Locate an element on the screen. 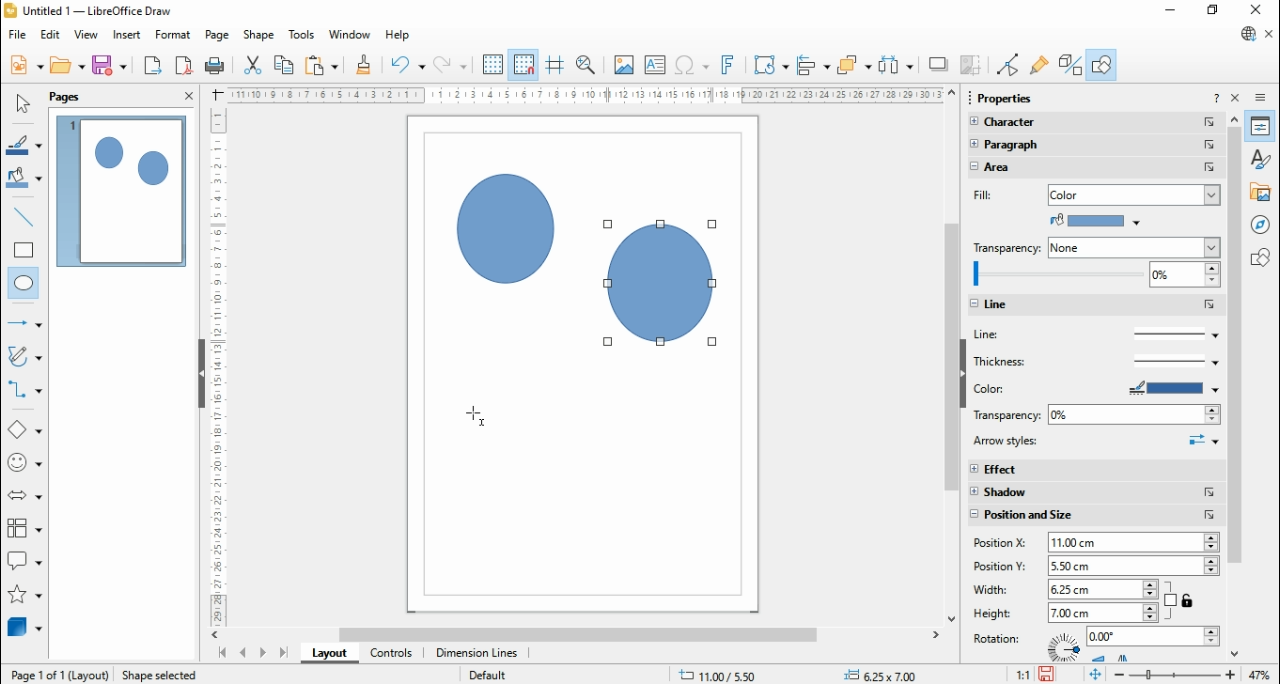  6.50 cm  is located at coordinates (1101, 613).